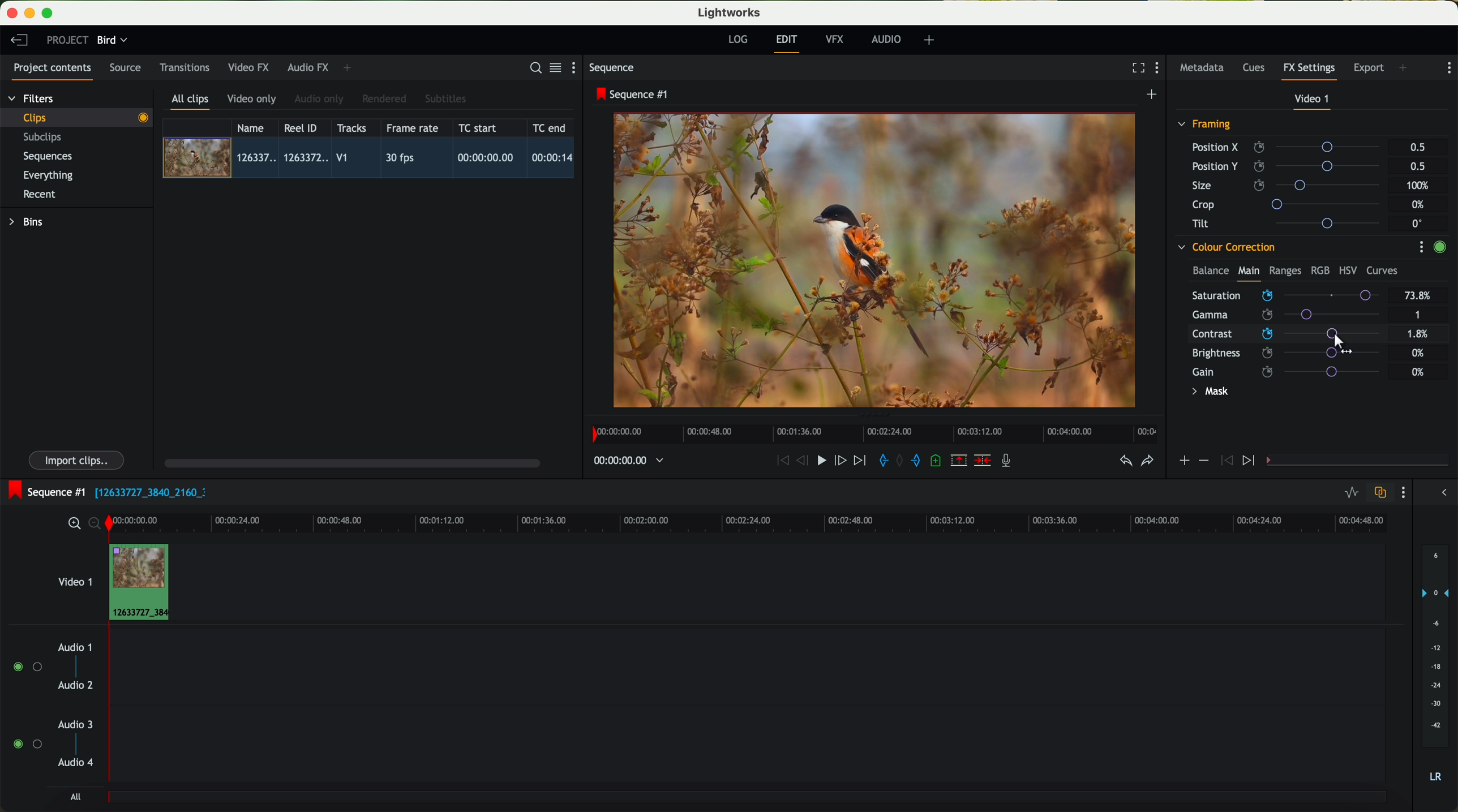  What do you see at coordinates (1205, 126) in the screenshot?
I see `framing` at bounding box center [1205, 126].